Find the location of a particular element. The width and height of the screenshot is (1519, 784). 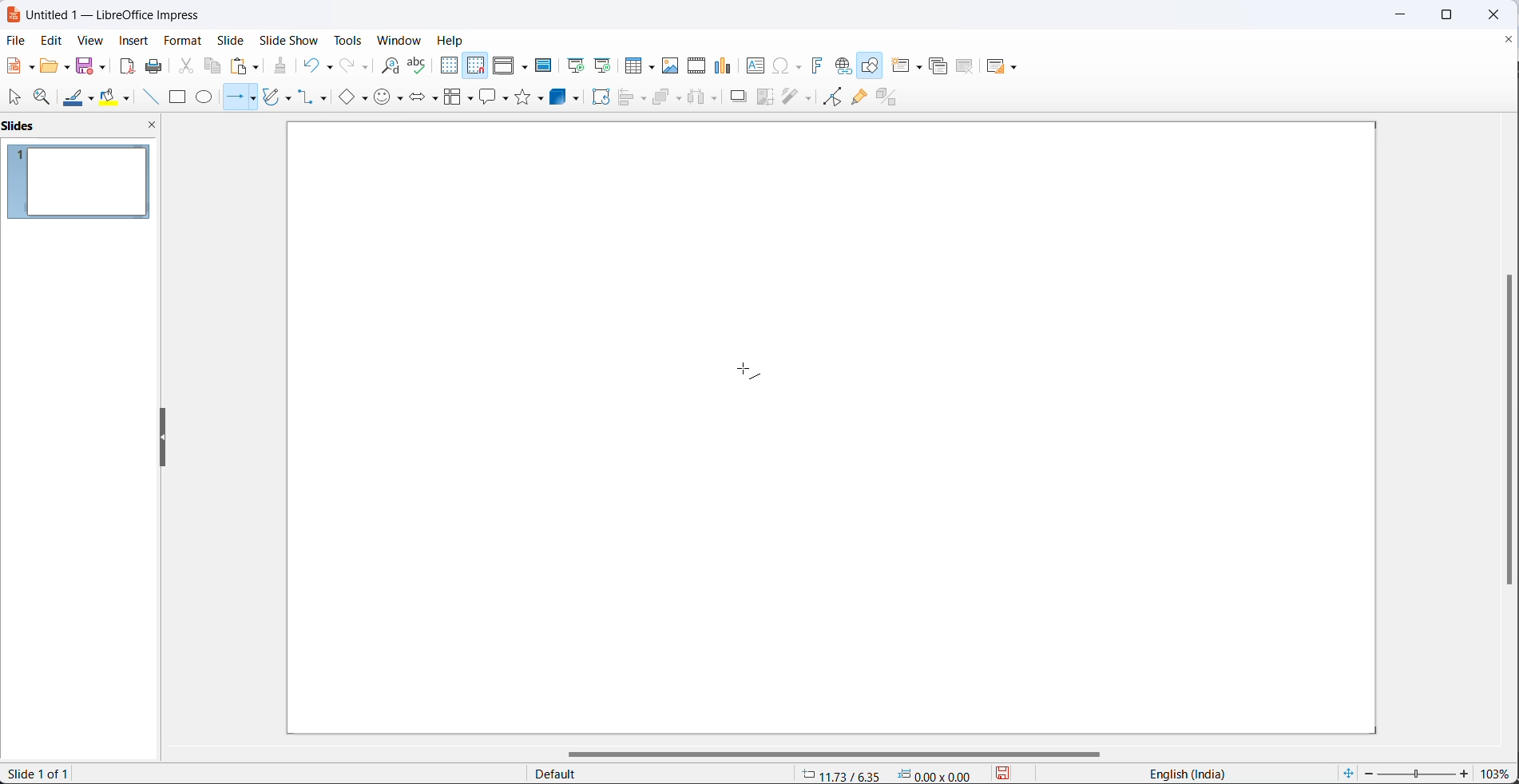

filters is located at coordinates (796, 98).